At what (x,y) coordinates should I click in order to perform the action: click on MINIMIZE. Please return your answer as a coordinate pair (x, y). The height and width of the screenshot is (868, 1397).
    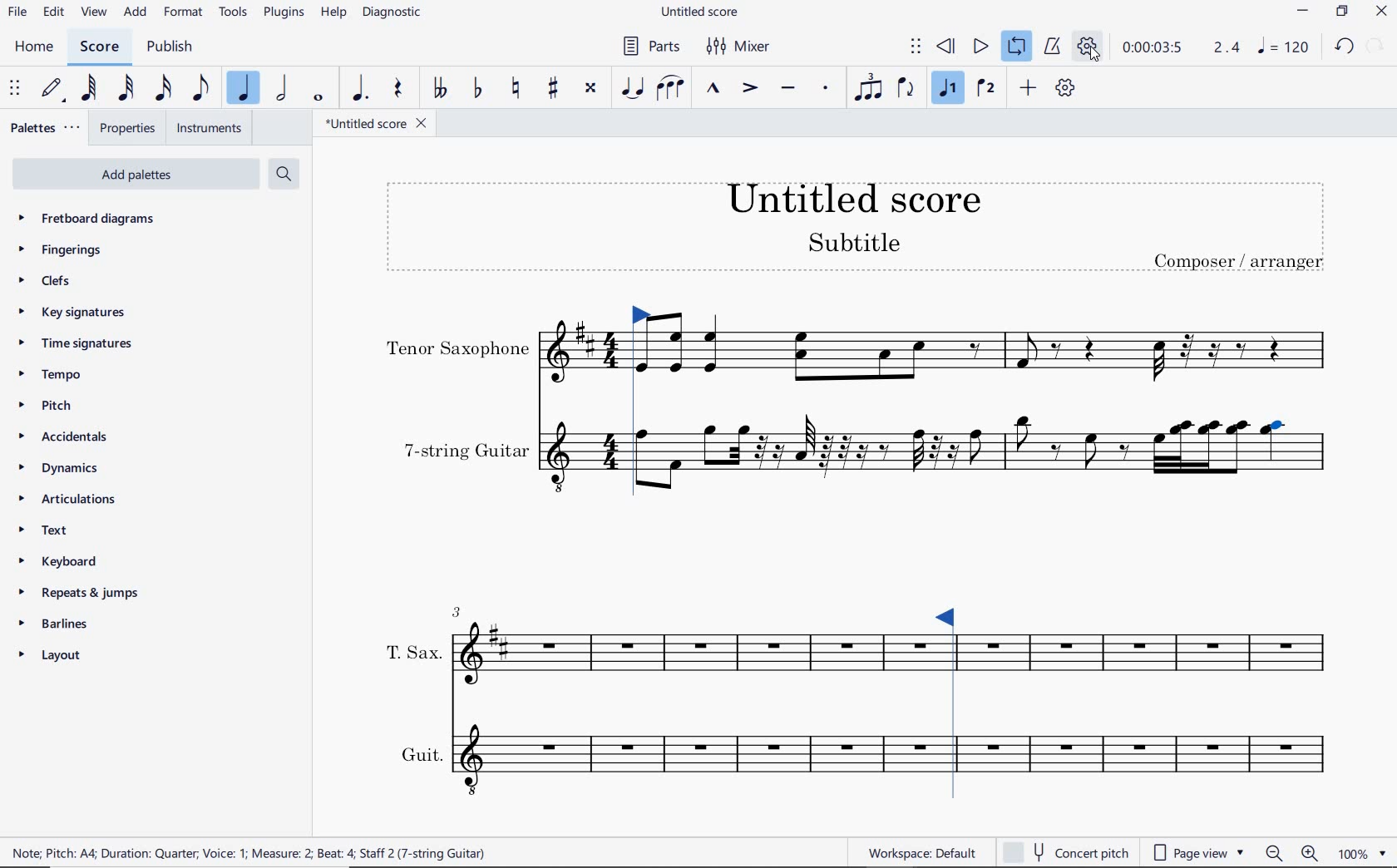
    Looking at the image, I should click on (1306, 11).